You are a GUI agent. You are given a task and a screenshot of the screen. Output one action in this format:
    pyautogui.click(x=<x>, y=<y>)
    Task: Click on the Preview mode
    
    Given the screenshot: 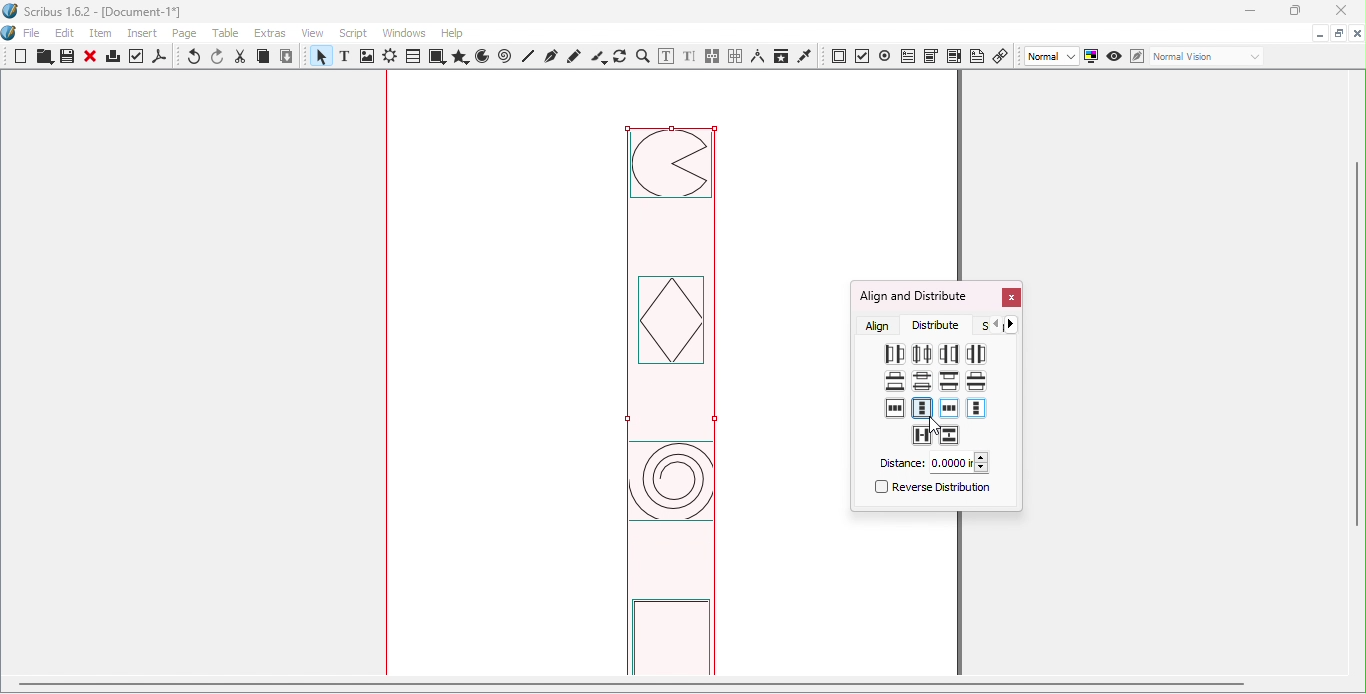 What is the action you would take?
    pyautogui.click(x=1115, y=57)
    